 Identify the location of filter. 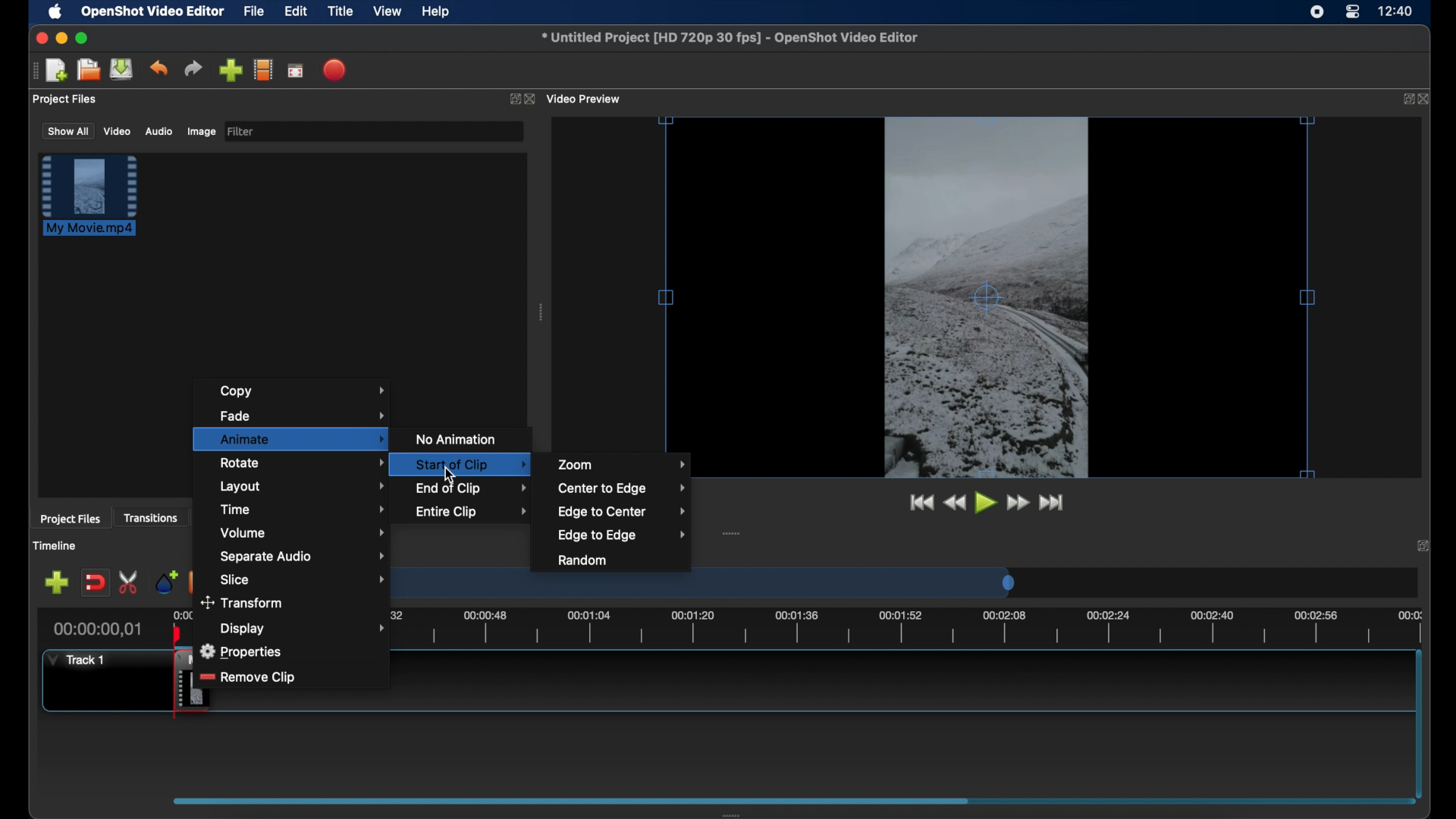
(241, 130).